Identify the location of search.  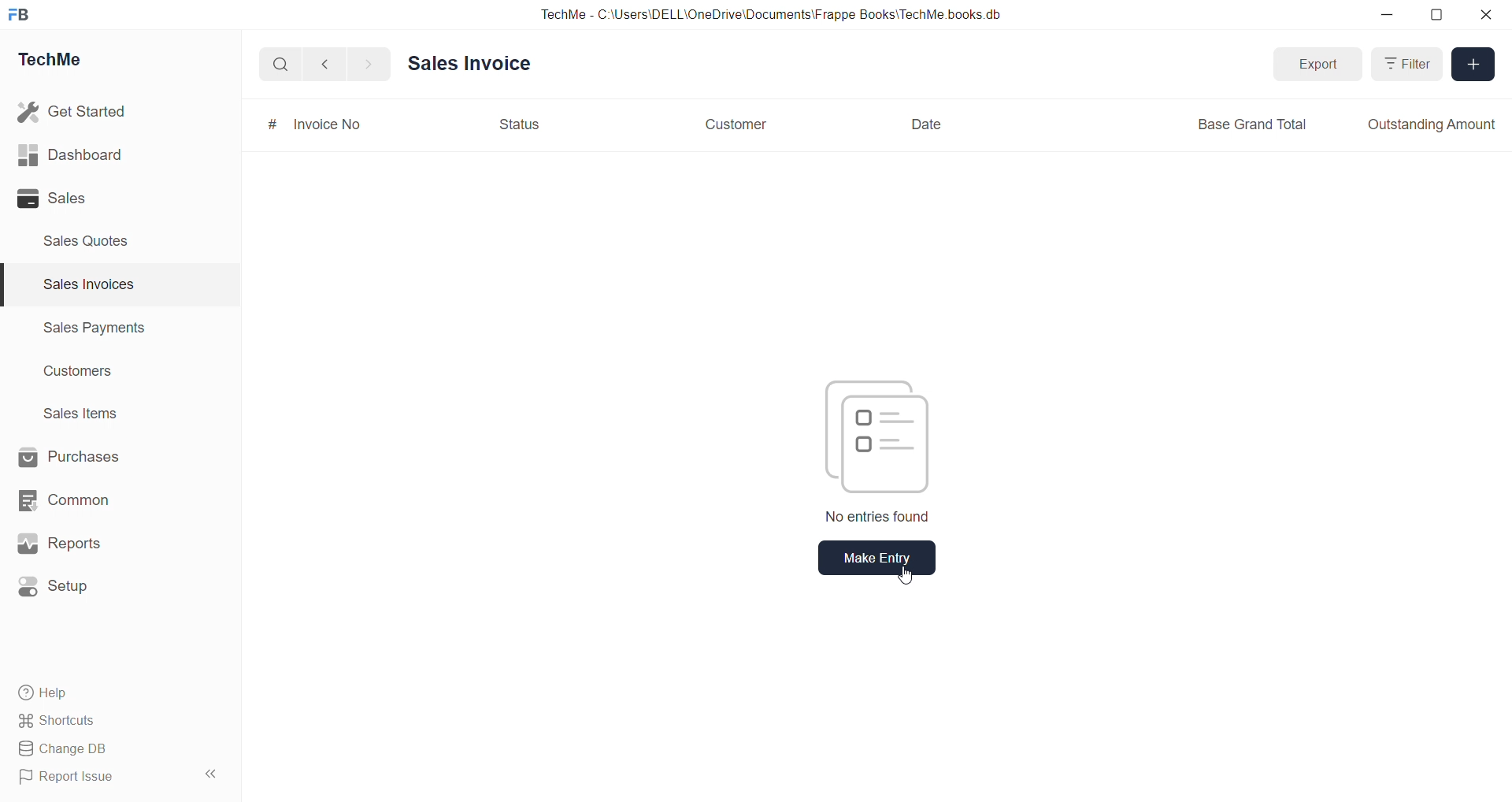
(278, 65).